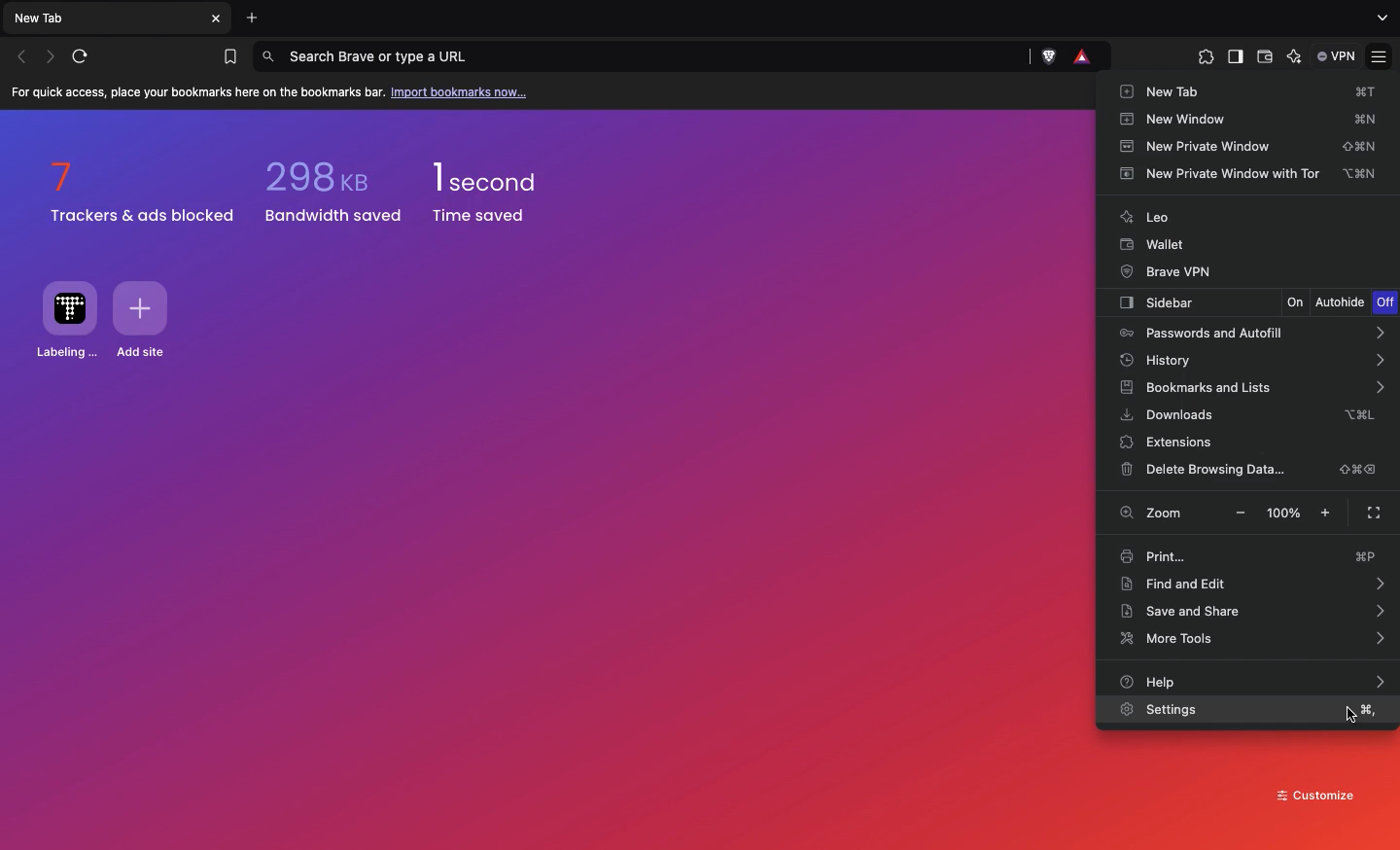 This screenshot has height=850, width=1400. What do you see at coordinates (1166, 270) in the screenshot?
I see `Brave VPN` at bounding box center [1166, 270].